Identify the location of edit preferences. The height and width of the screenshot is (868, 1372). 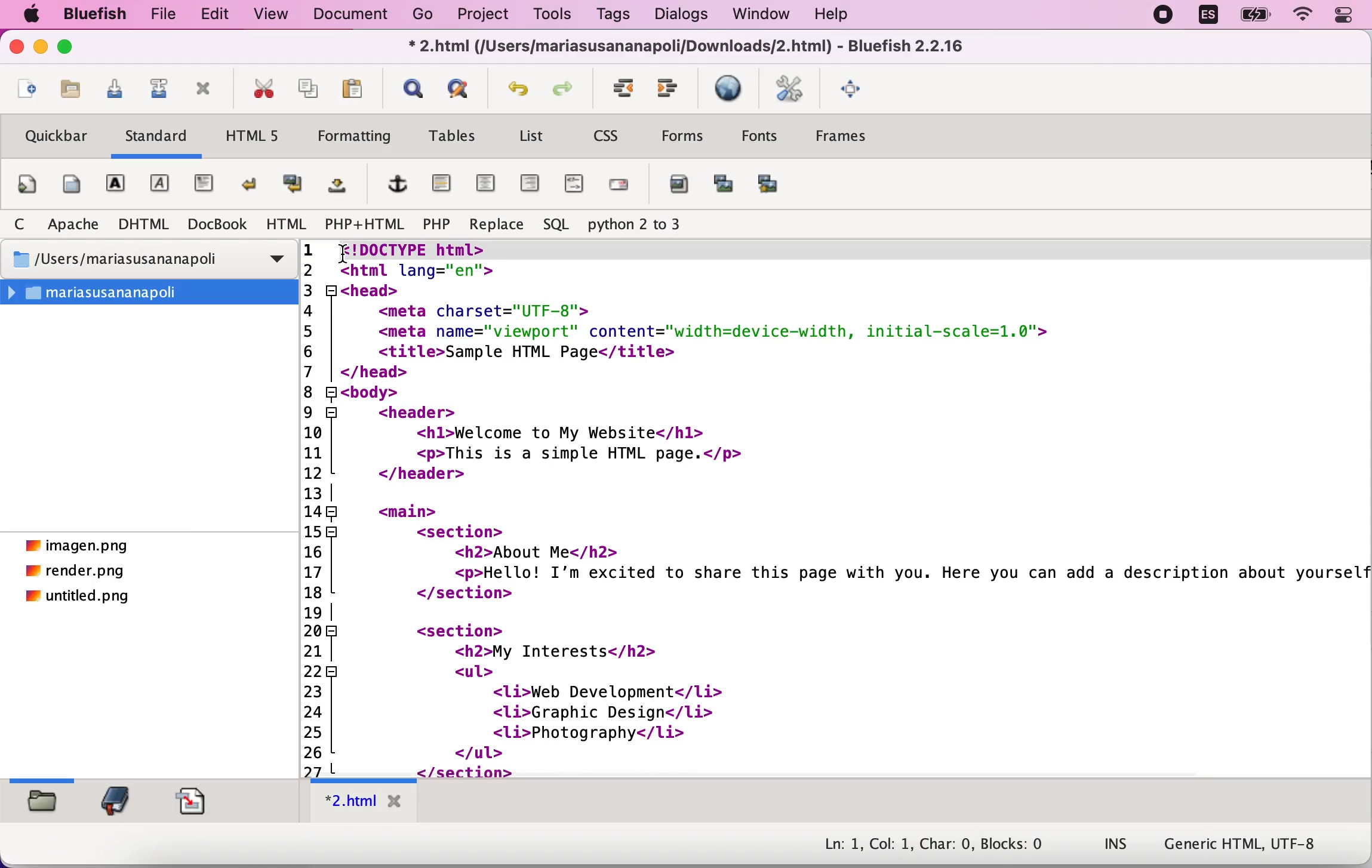
(788, 91).